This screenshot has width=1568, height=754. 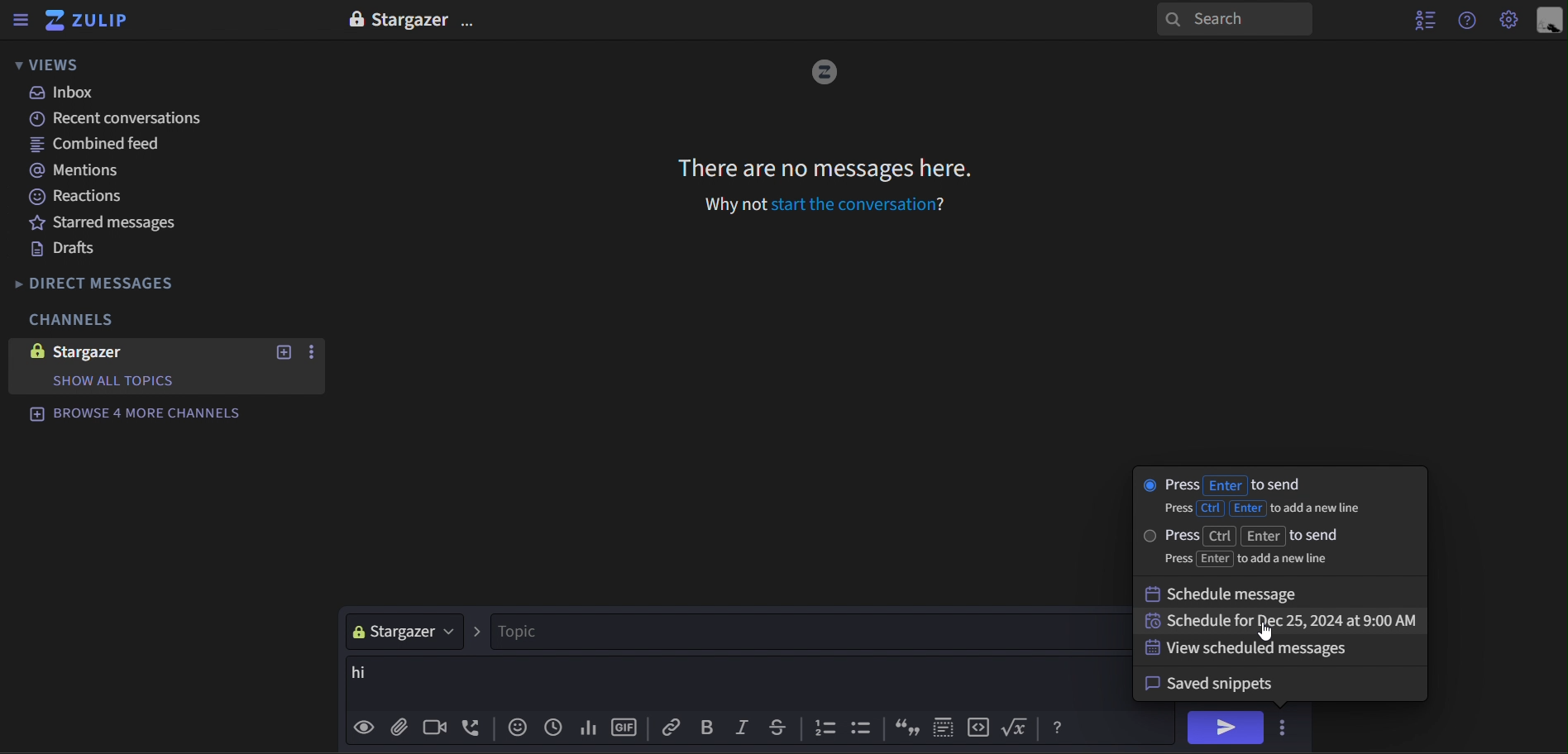 I want to click on new topic, so click(x=281, y=355).